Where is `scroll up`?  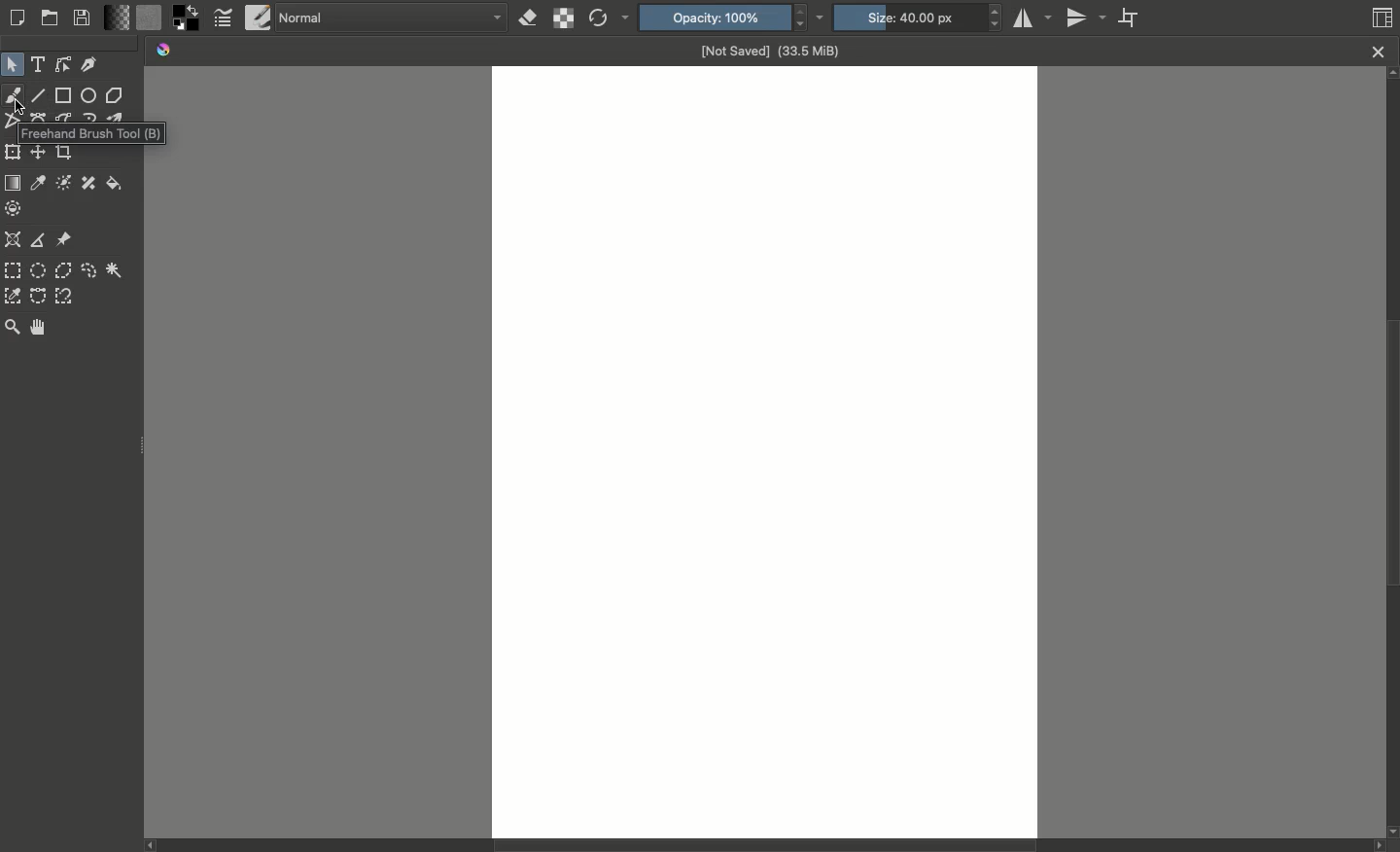
scroll up is located at coordinates (1391, 76).